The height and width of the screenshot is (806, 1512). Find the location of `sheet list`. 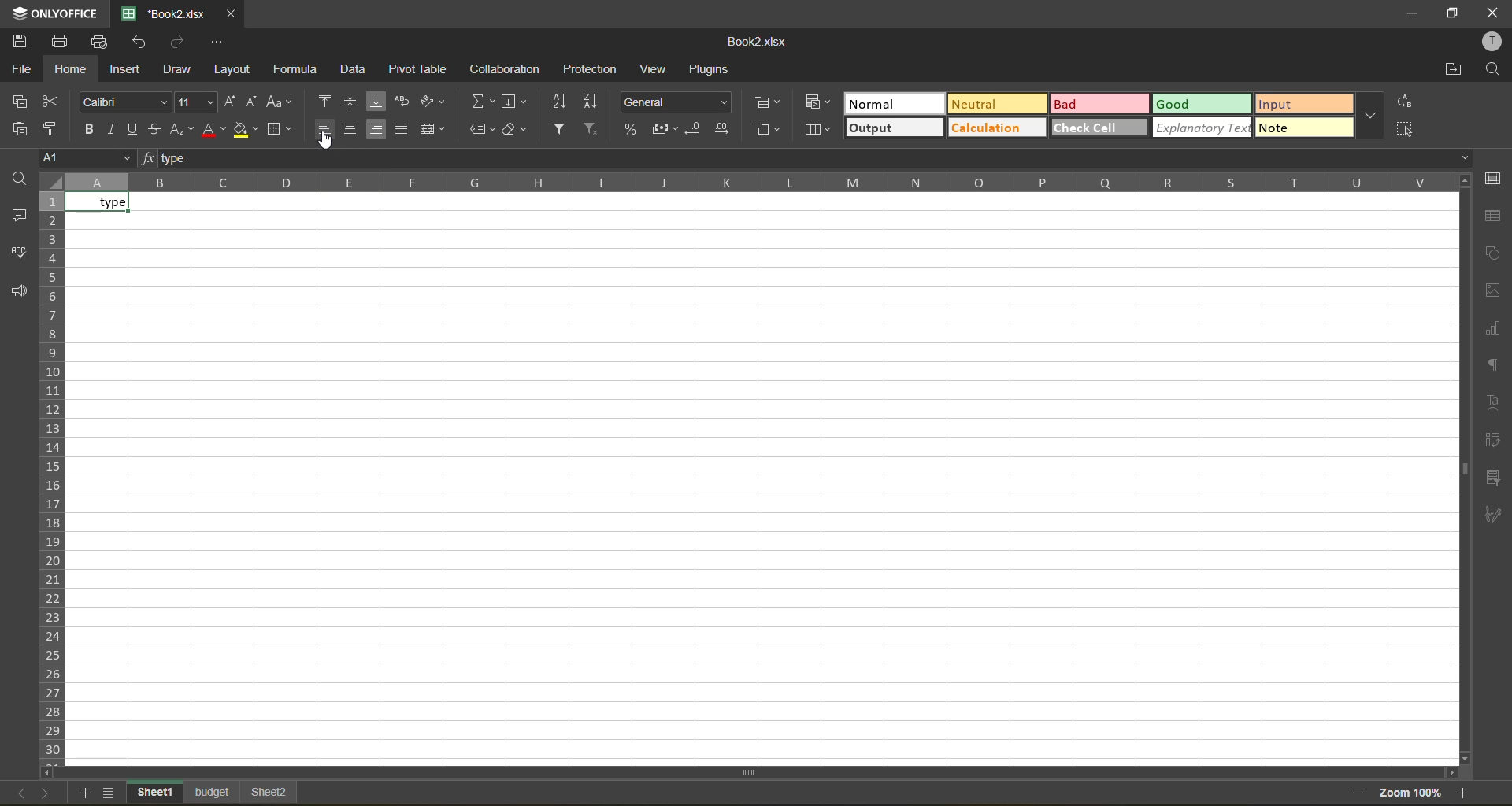

sheet list is located at coordinates (108, 794).